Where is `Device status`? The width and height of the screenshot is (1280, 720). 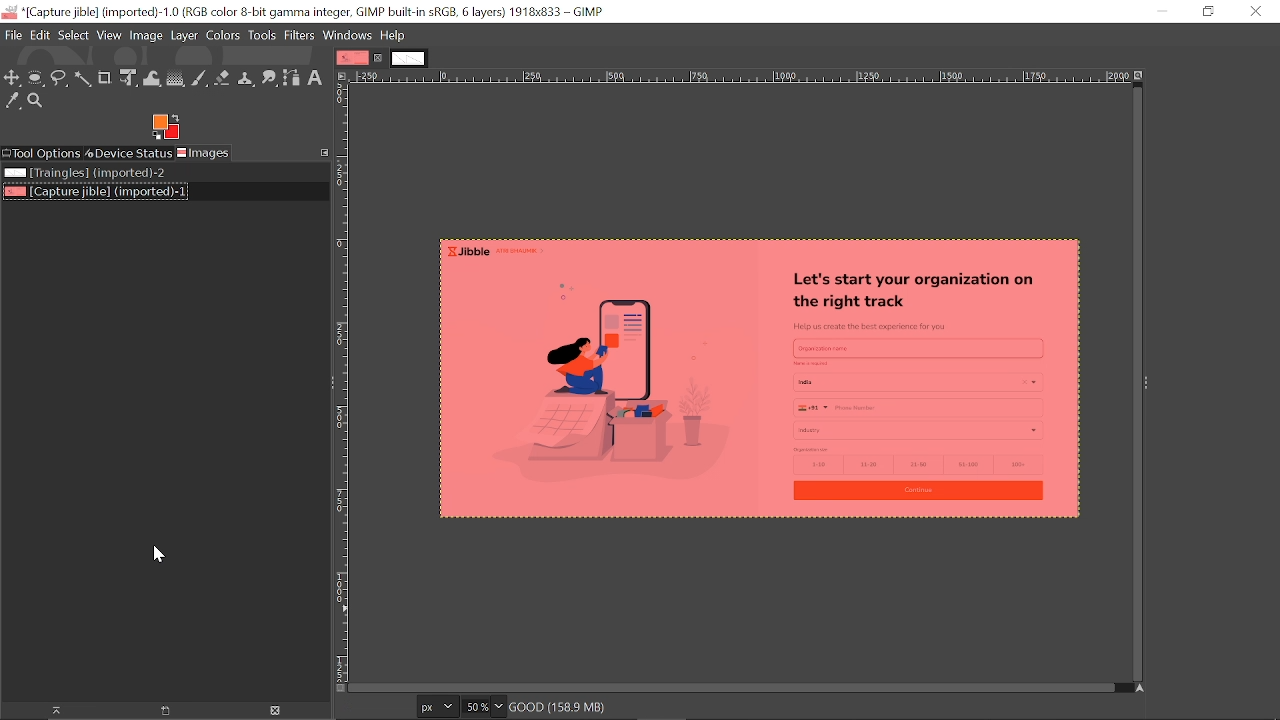 Device status is located at coordinates (129, 154).